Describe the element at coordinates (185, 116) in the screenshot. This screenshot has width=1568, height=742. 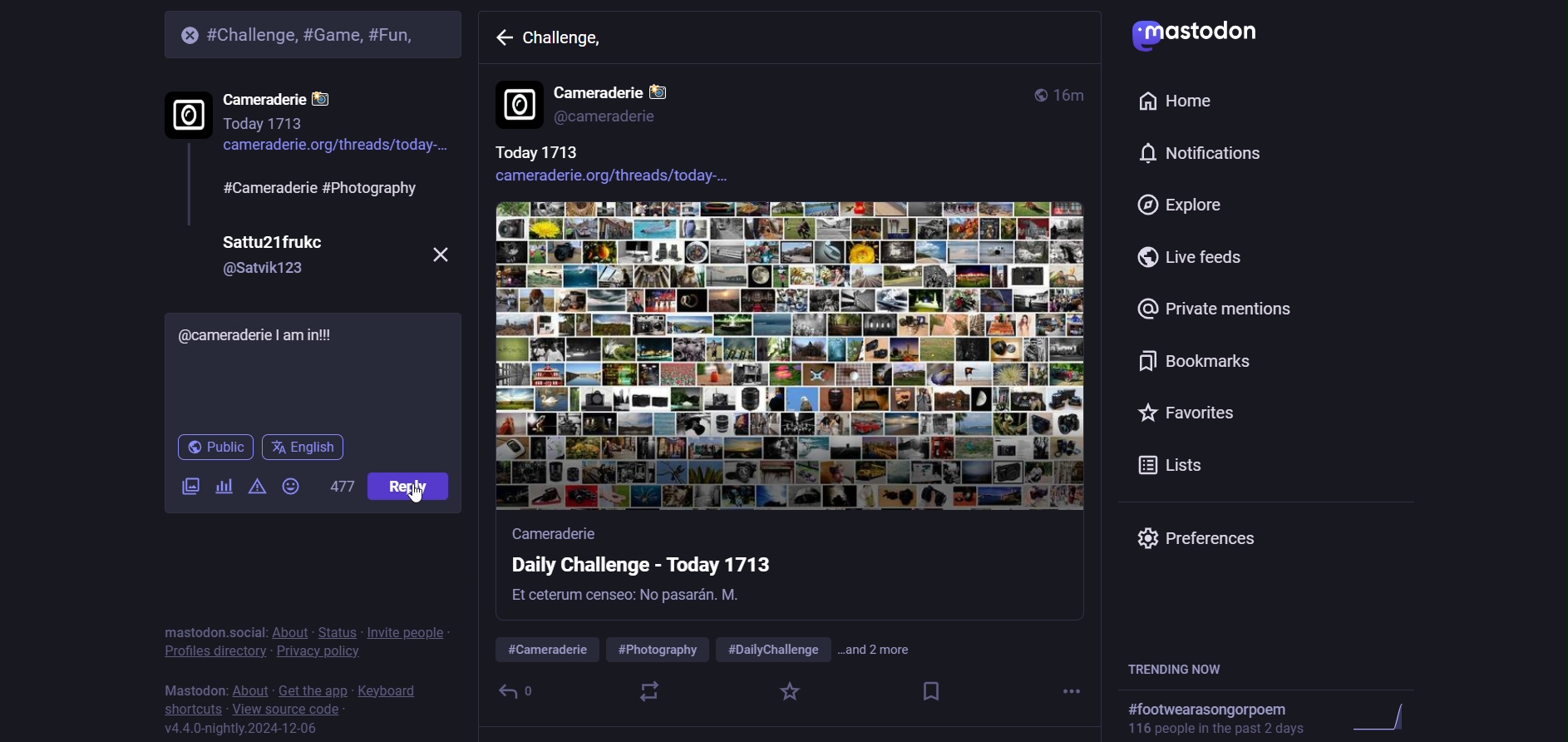
I see `display picture` at that location.